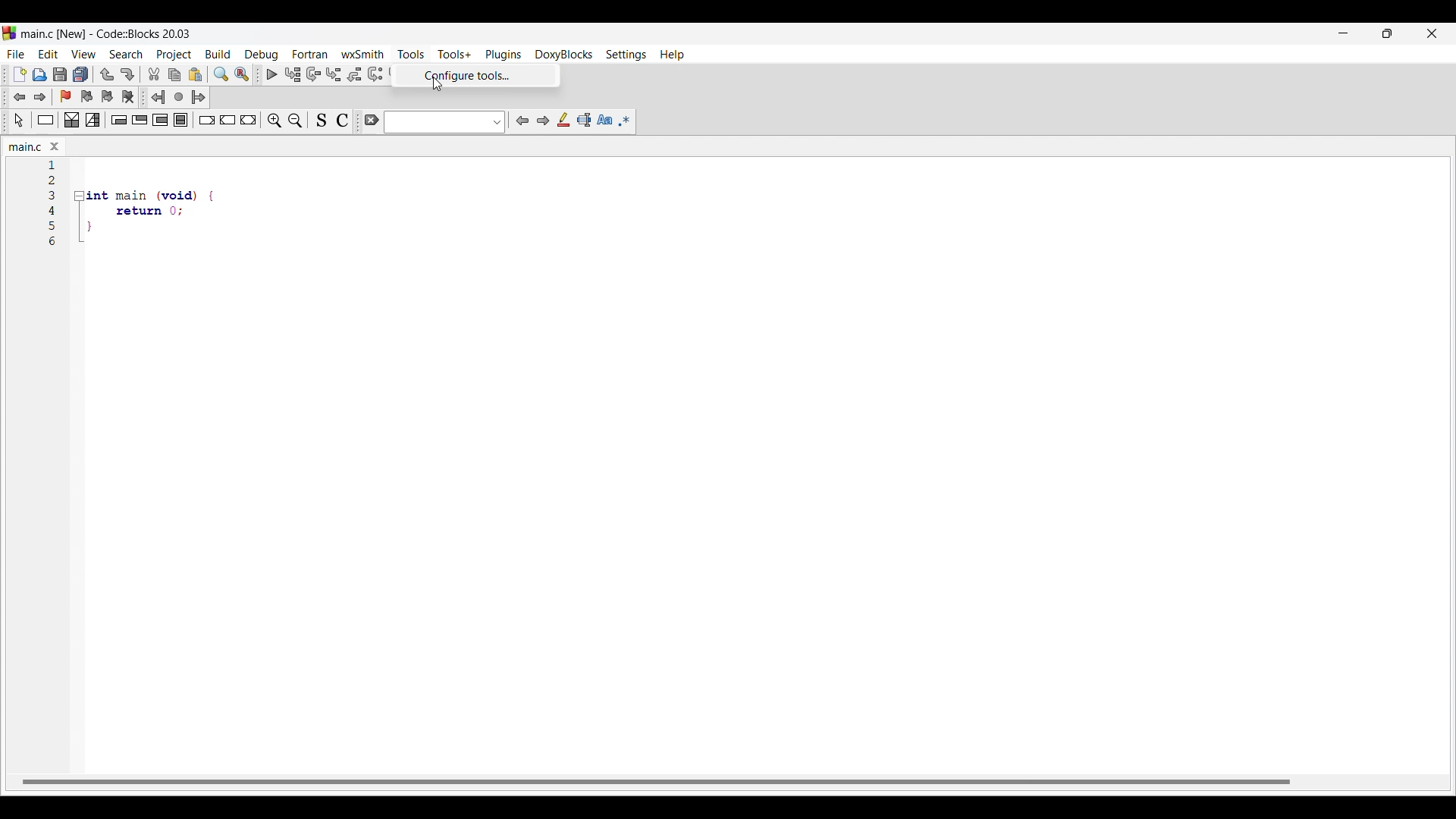 The width and height of the screenshot is (1456, 819). What do you see at coordinates (454, 54) in the screenshot?
I see `Tools+ menu` at bounding box center [454, 54].